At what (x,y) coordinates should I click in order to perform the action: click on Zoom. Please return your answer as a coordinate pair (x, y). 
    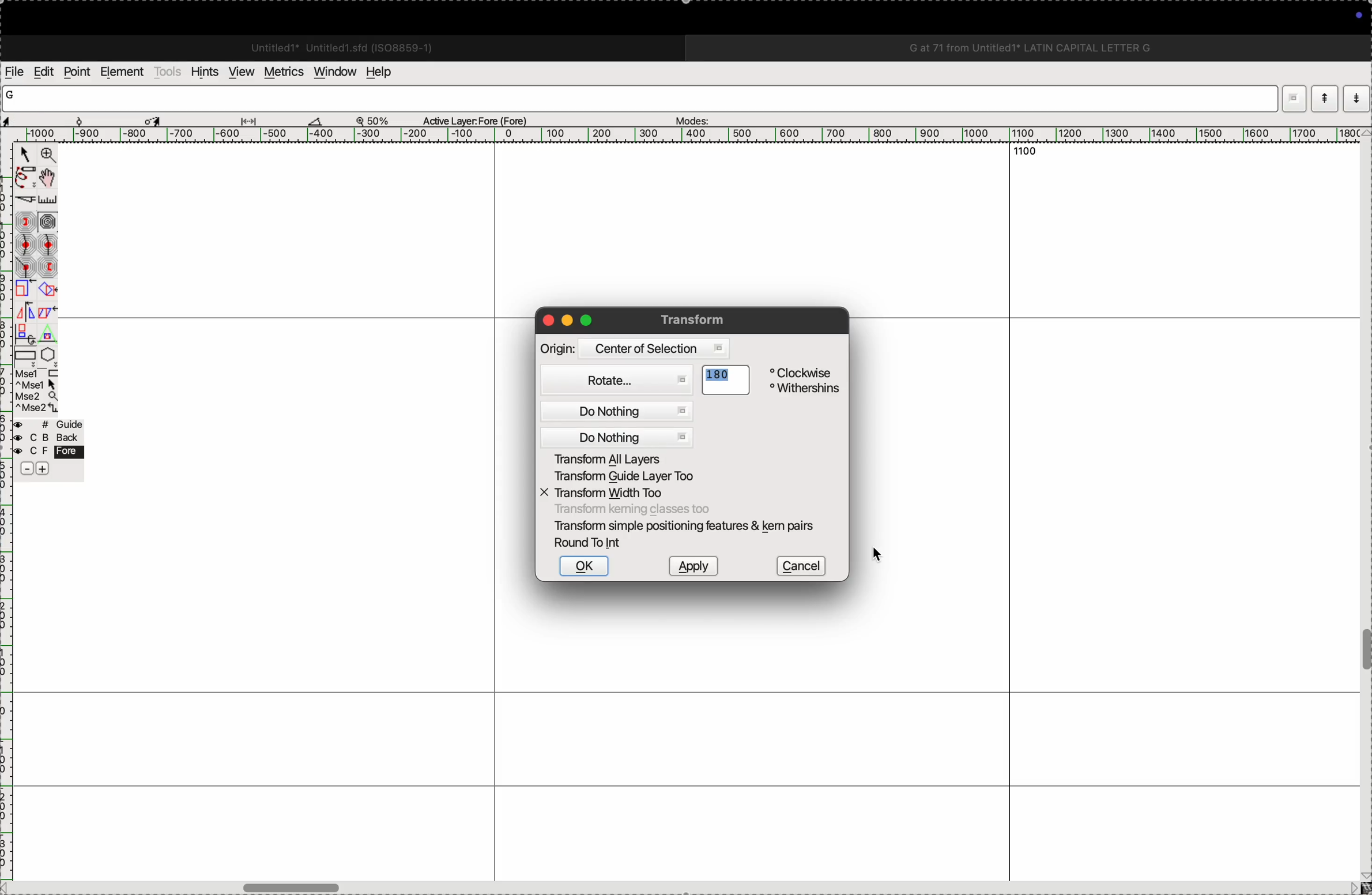
    Looking at the image, I should click on (47, 155).